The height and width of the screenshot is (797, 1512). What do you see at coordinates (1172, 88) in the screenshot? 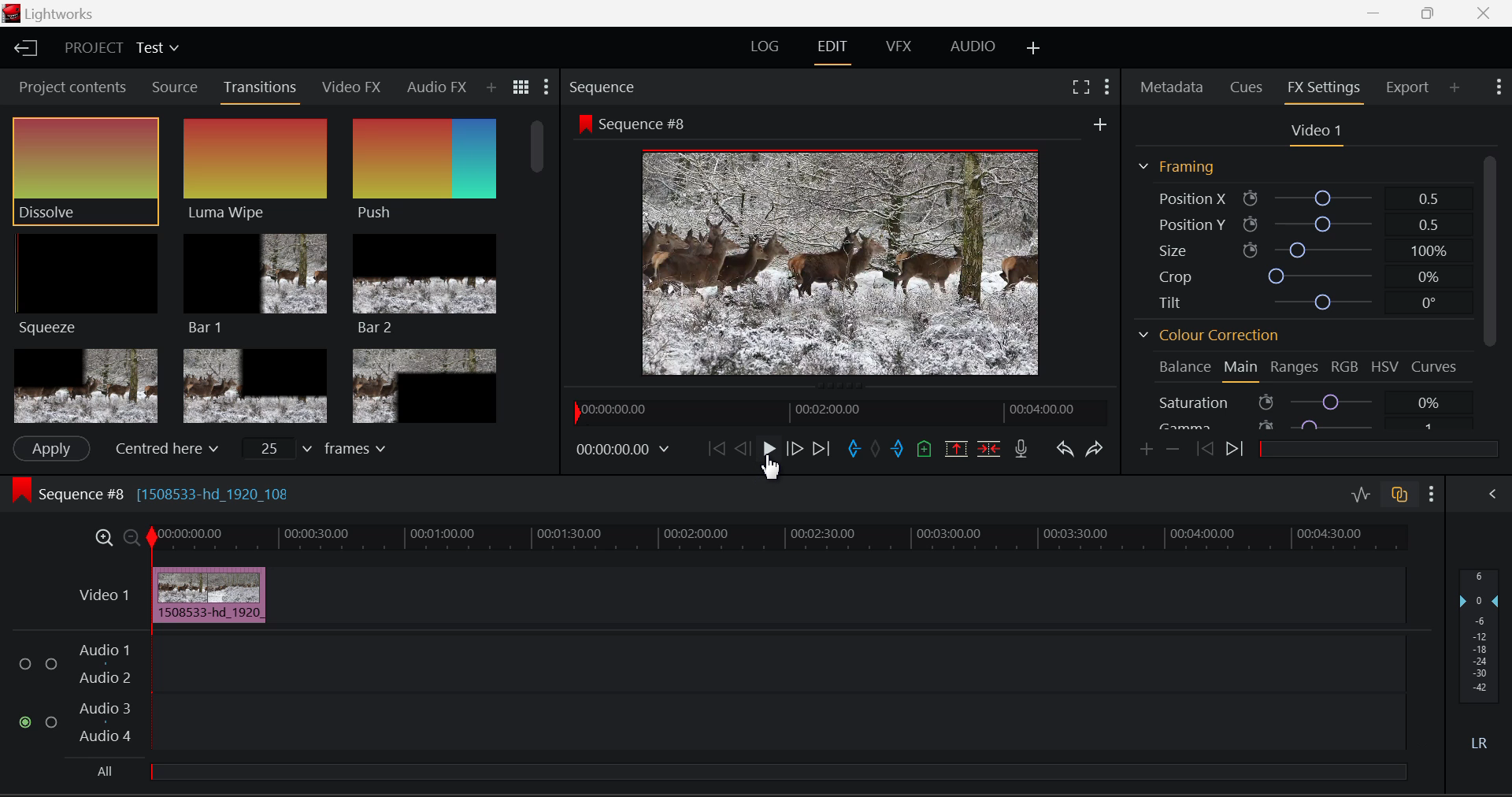
I see `Metadata` at bounding box center [1172, 88].